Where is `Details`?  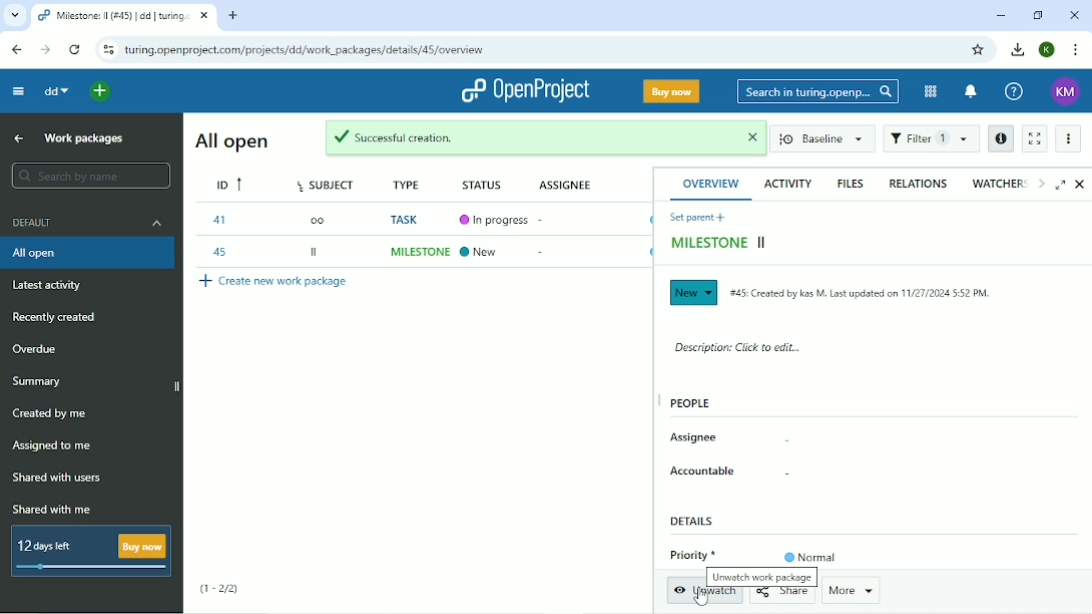 Details is located at coordinates (694, 519).